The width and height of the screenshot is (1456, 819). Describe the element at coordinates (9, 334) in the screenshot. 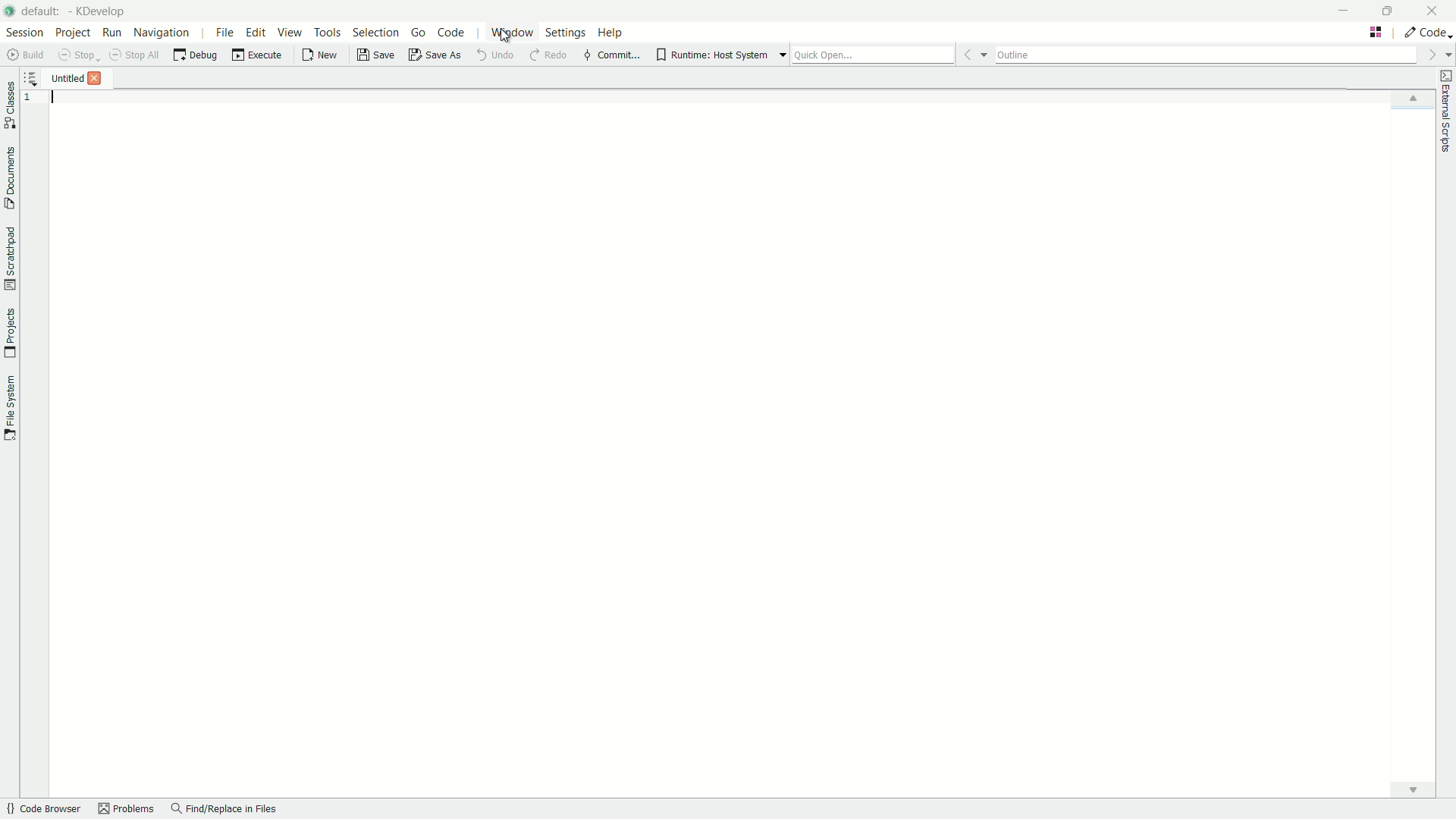

I see `toggle projects` at that location.